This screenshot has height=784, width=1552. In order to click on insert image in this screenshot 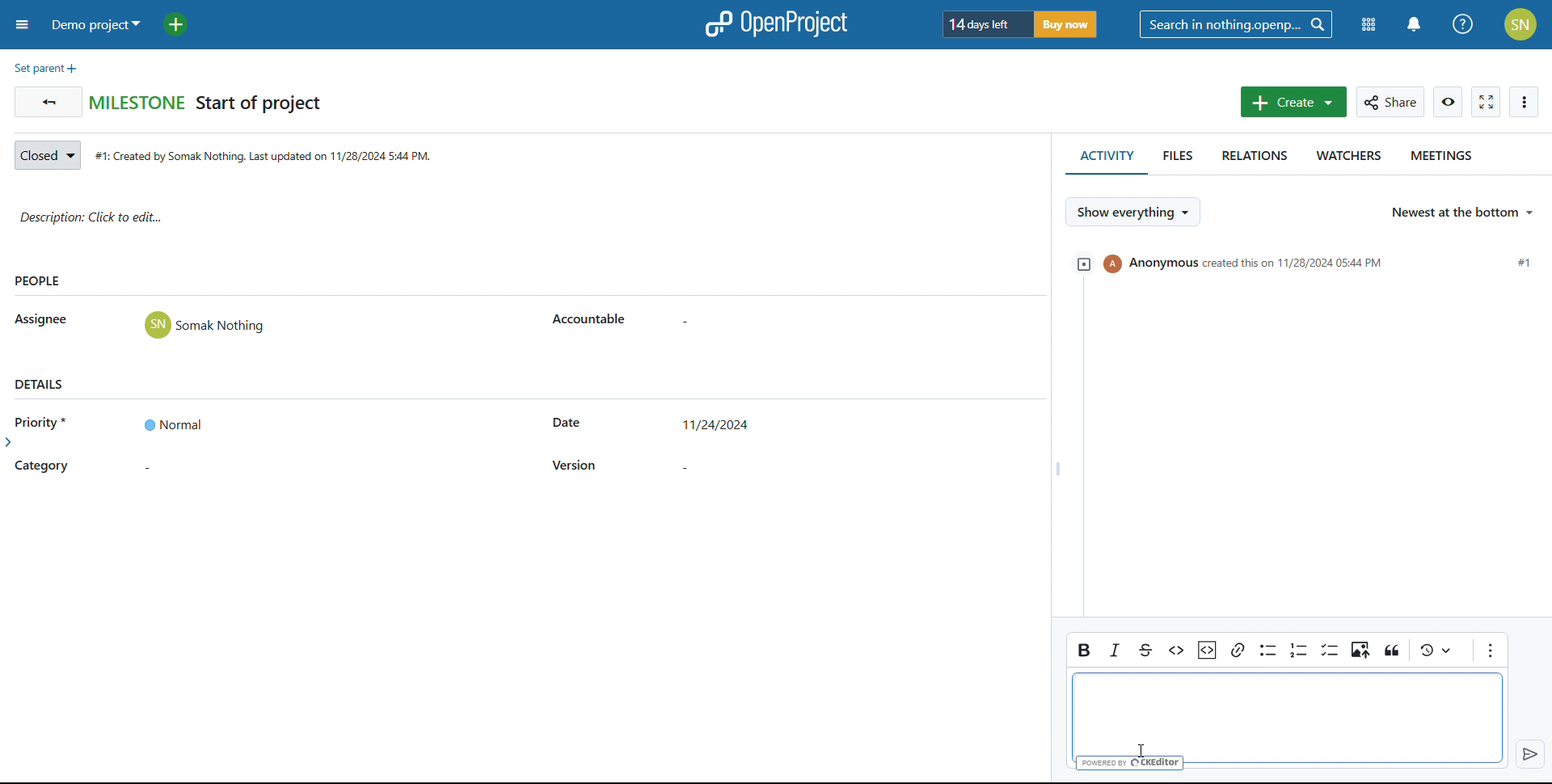, I will do `click(1361, 651)`.